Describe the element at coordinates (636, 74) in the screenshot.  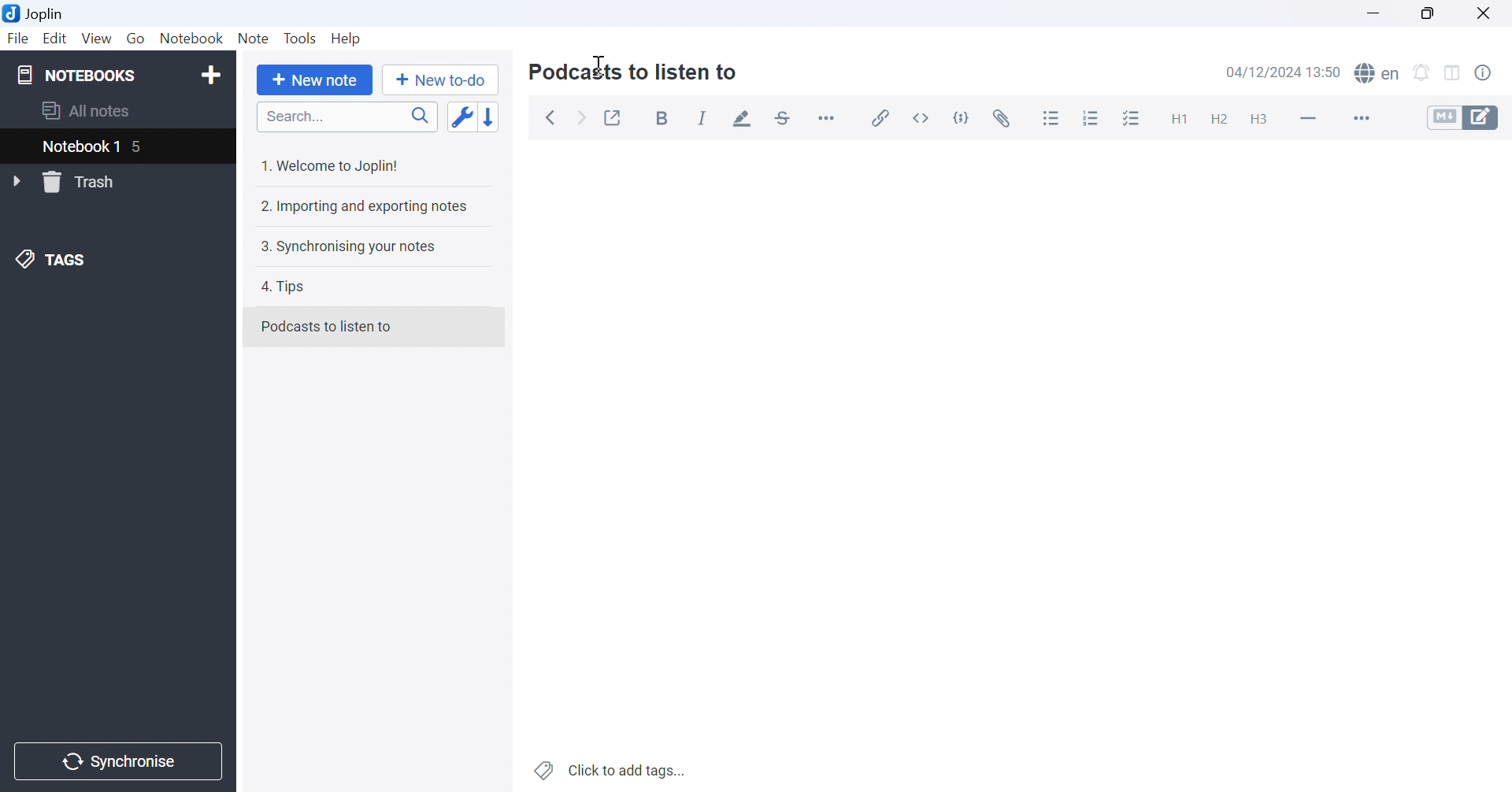
I see `Podcasts to listen to` at that location.